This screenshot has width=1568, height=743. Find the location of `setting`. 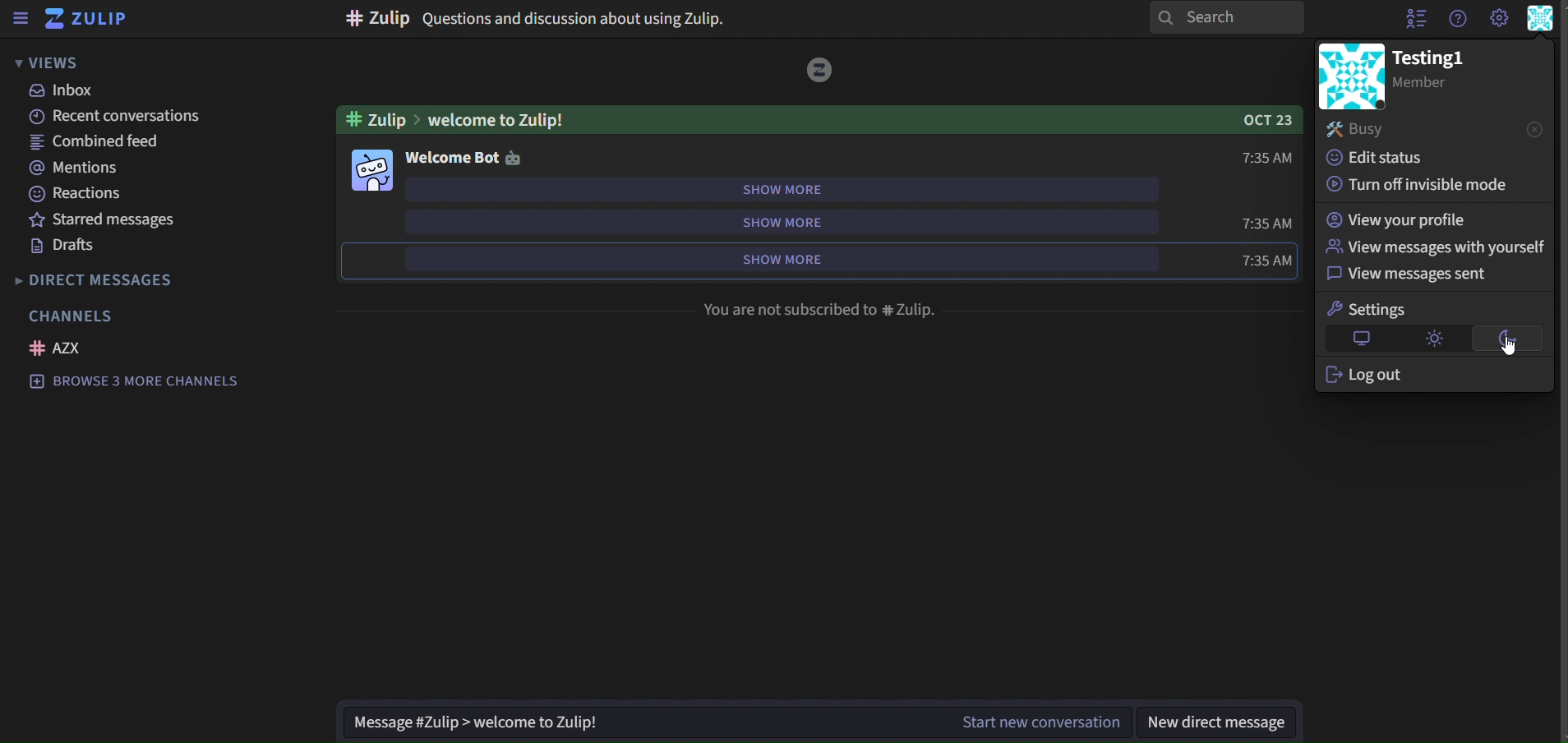

setting is located at coordinates (1499, 21).